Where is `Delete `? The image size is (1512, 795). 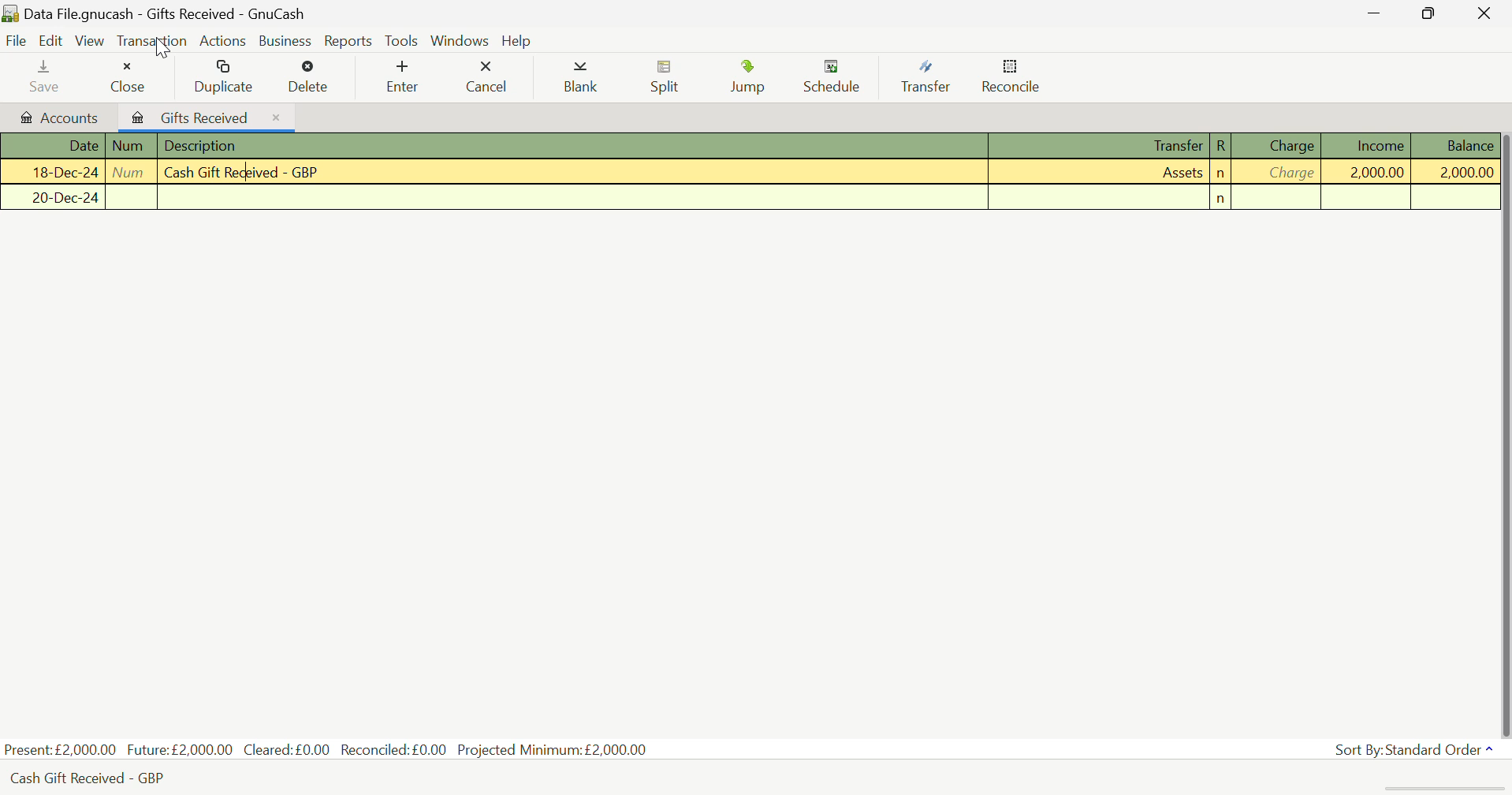 Delete  is located at coordinates (310, 77).